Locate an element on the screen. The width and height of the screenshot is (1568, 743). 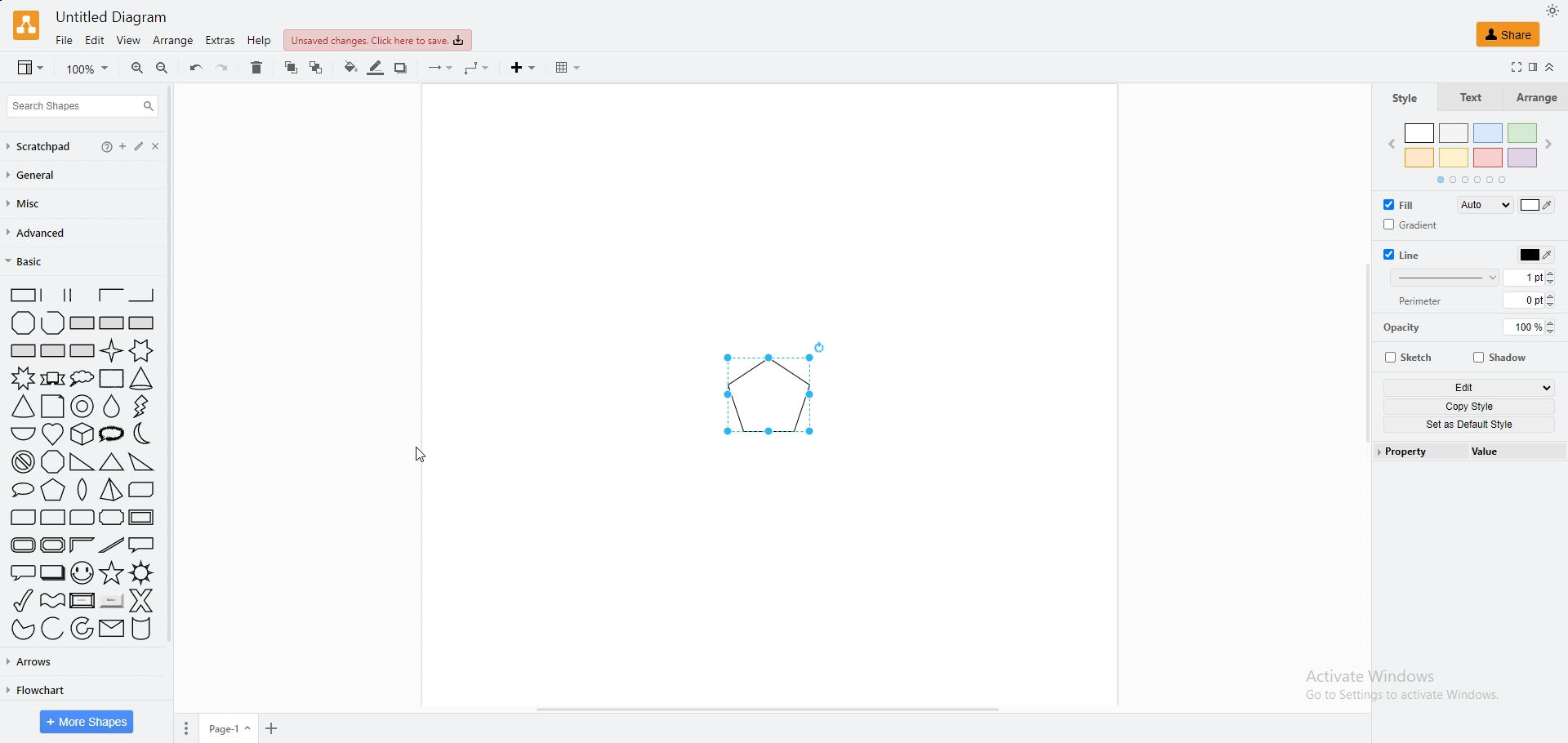
view is located at coordinates (30, 69).